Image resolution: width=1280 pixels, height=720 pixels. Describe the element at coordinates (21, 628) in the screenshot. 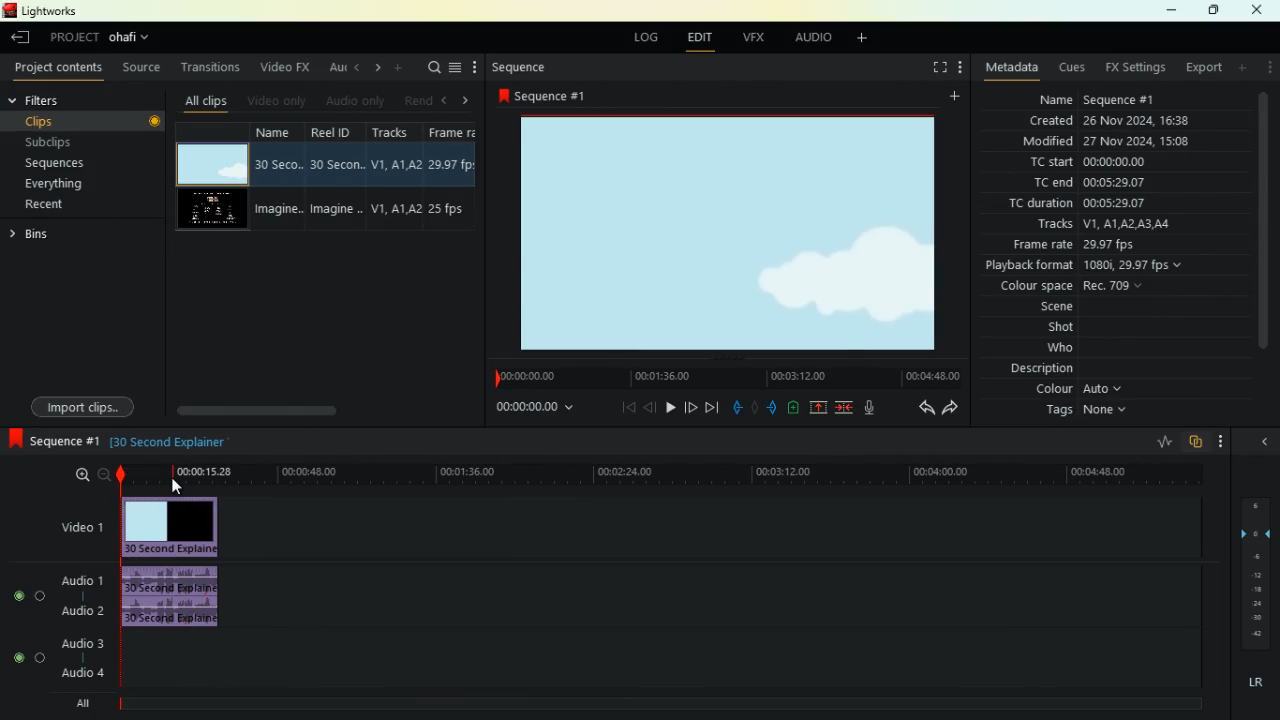

I see `buttons` at that location.